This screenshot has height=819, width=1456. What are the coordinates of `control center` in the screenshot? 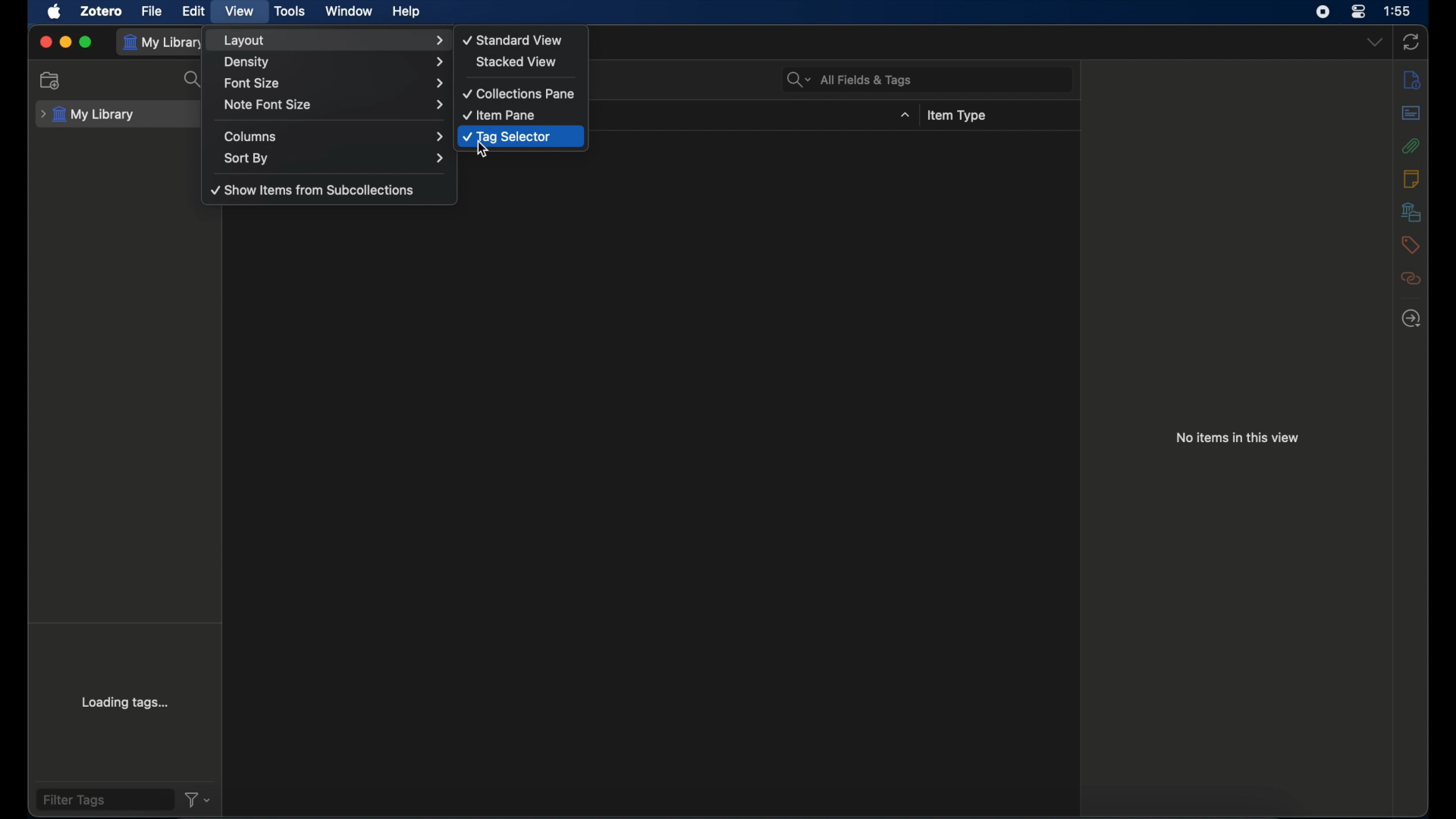 It's located at (1359, 12).